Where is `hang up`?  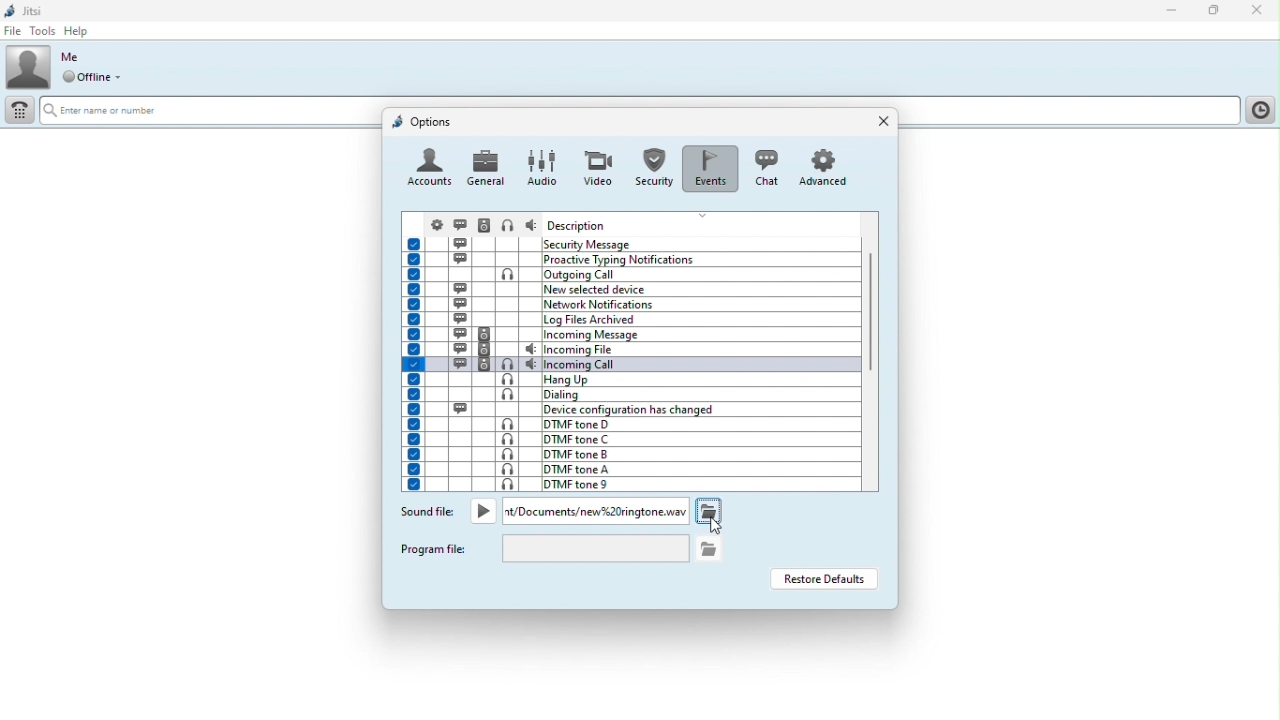
hang up is located at coordinates (629, 380).